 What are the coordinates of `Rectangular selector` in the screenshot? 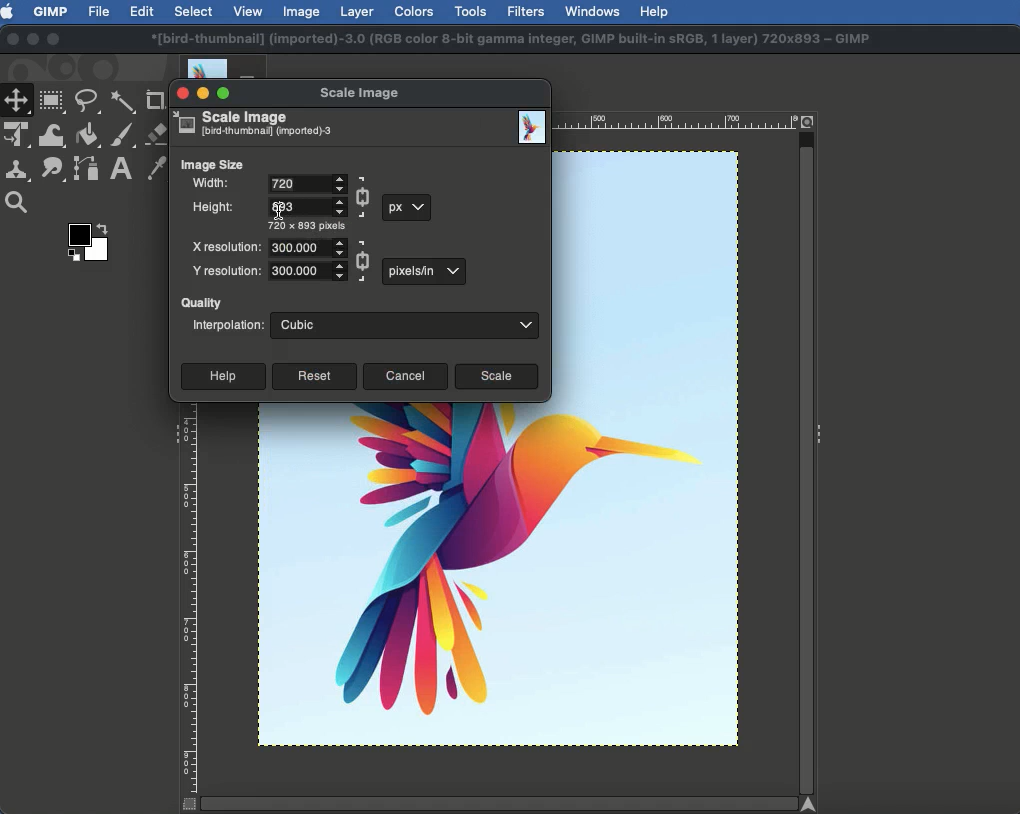 It's located at (52, 101).